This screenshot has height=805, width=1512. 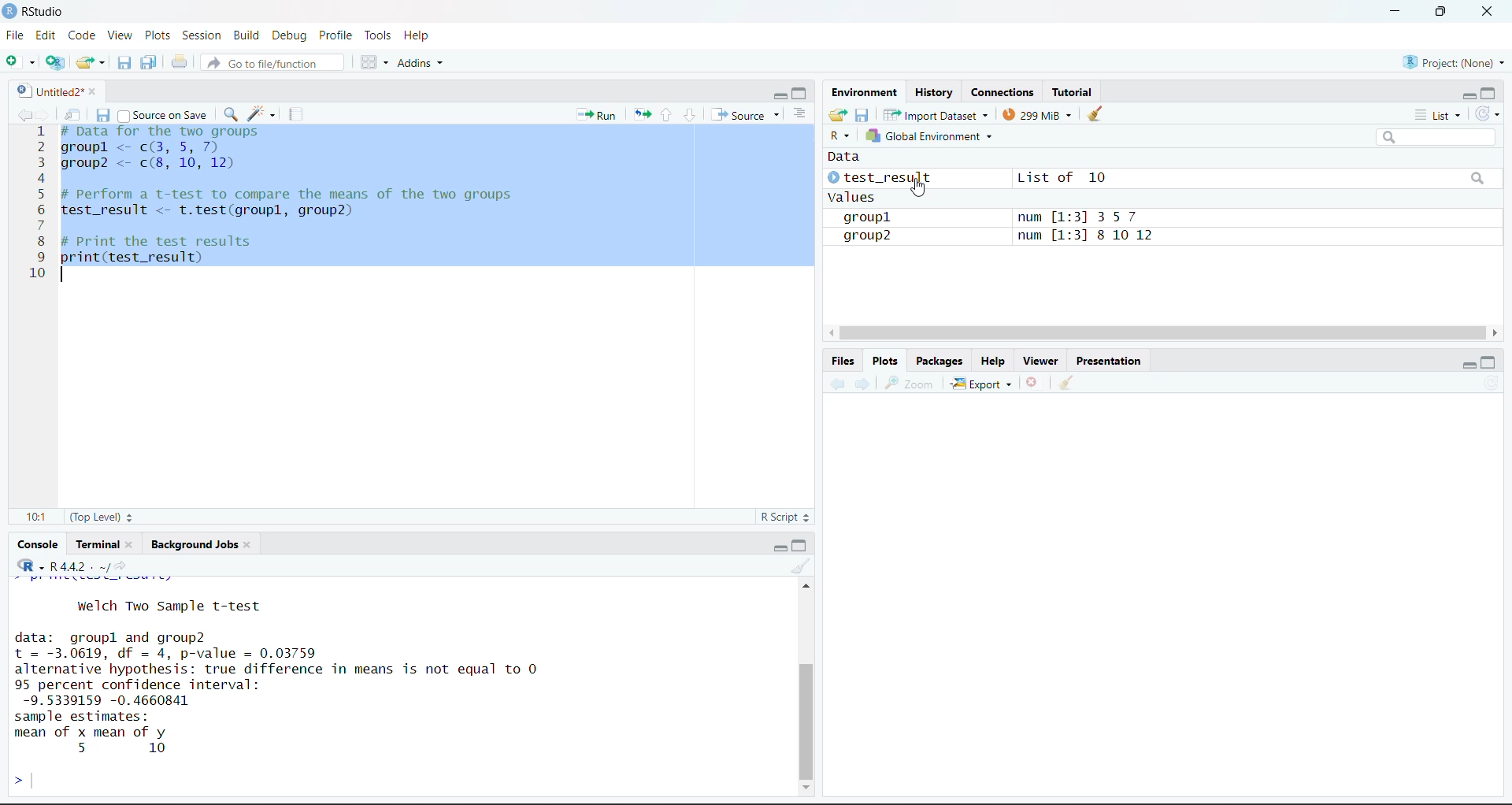 What do you see at coordinates (691, 116) in the screenshot?
I see `go to next section/chunk` at bounding box center [691, 116].